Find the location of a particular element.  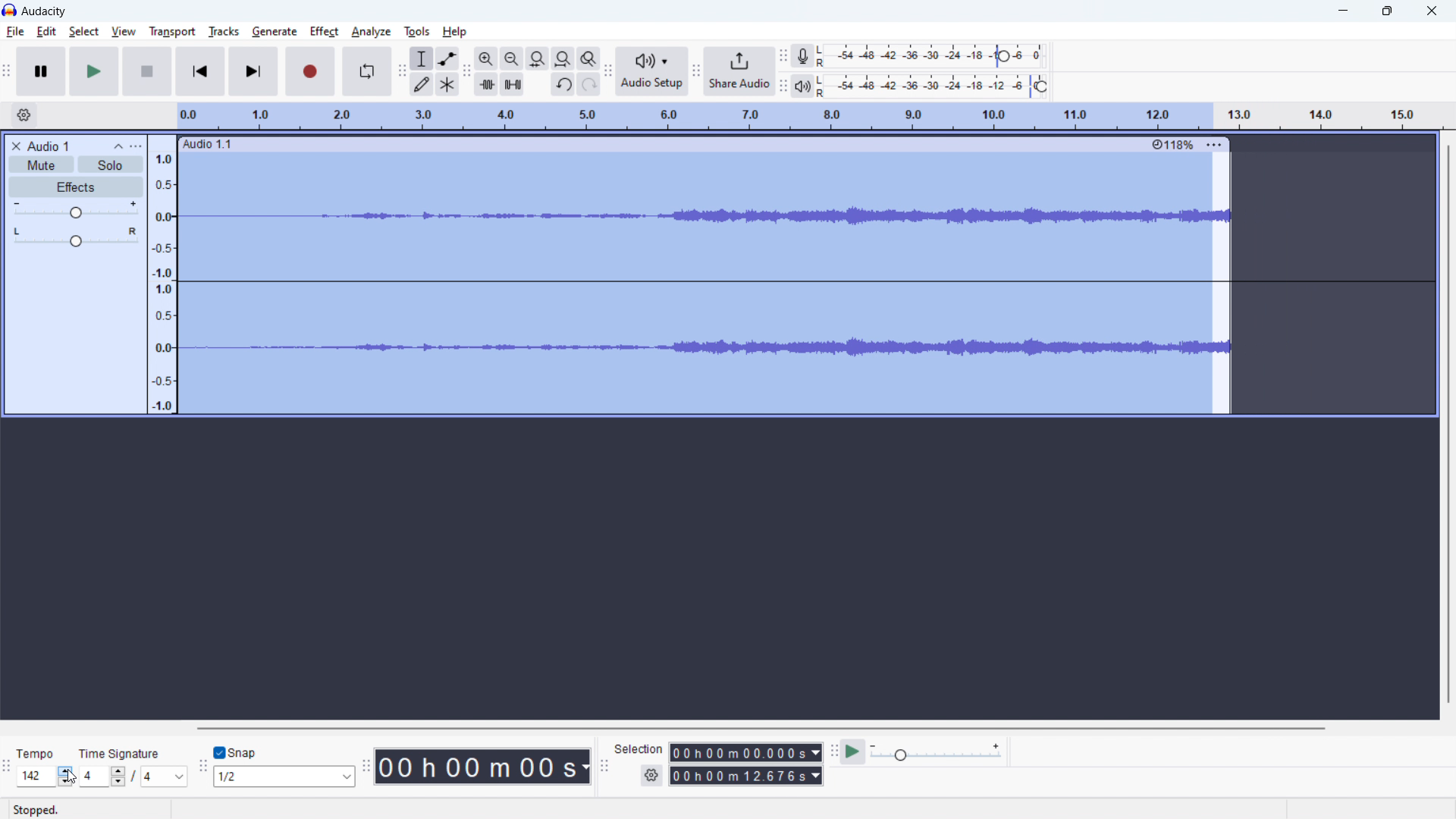

audio setup toolbar is located at coordinates (607, 71).